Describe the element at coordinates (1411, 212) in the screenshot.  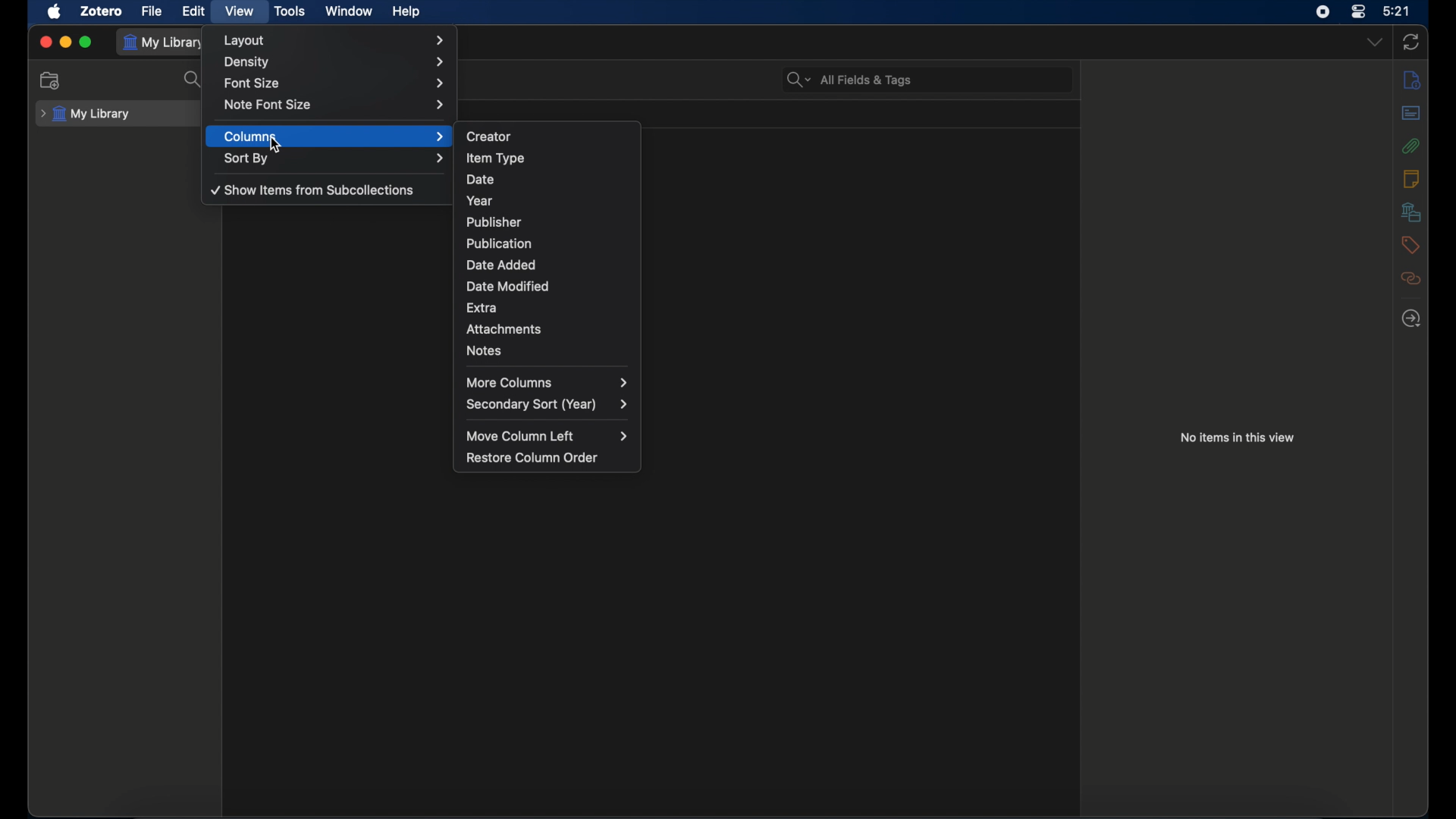
I see `libraries` at that location.